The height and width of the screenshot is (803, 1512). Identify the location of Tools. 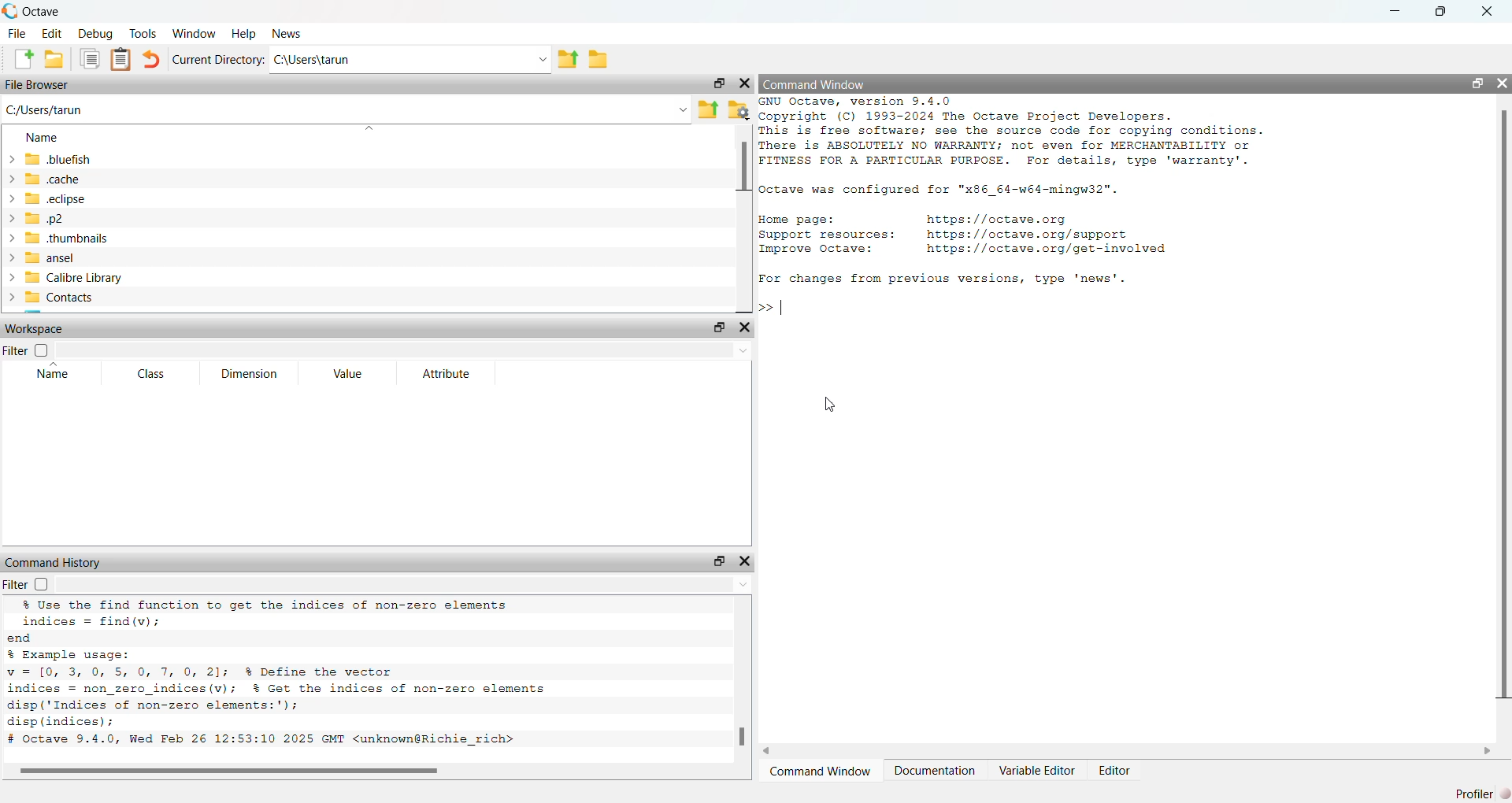
(141, 34).